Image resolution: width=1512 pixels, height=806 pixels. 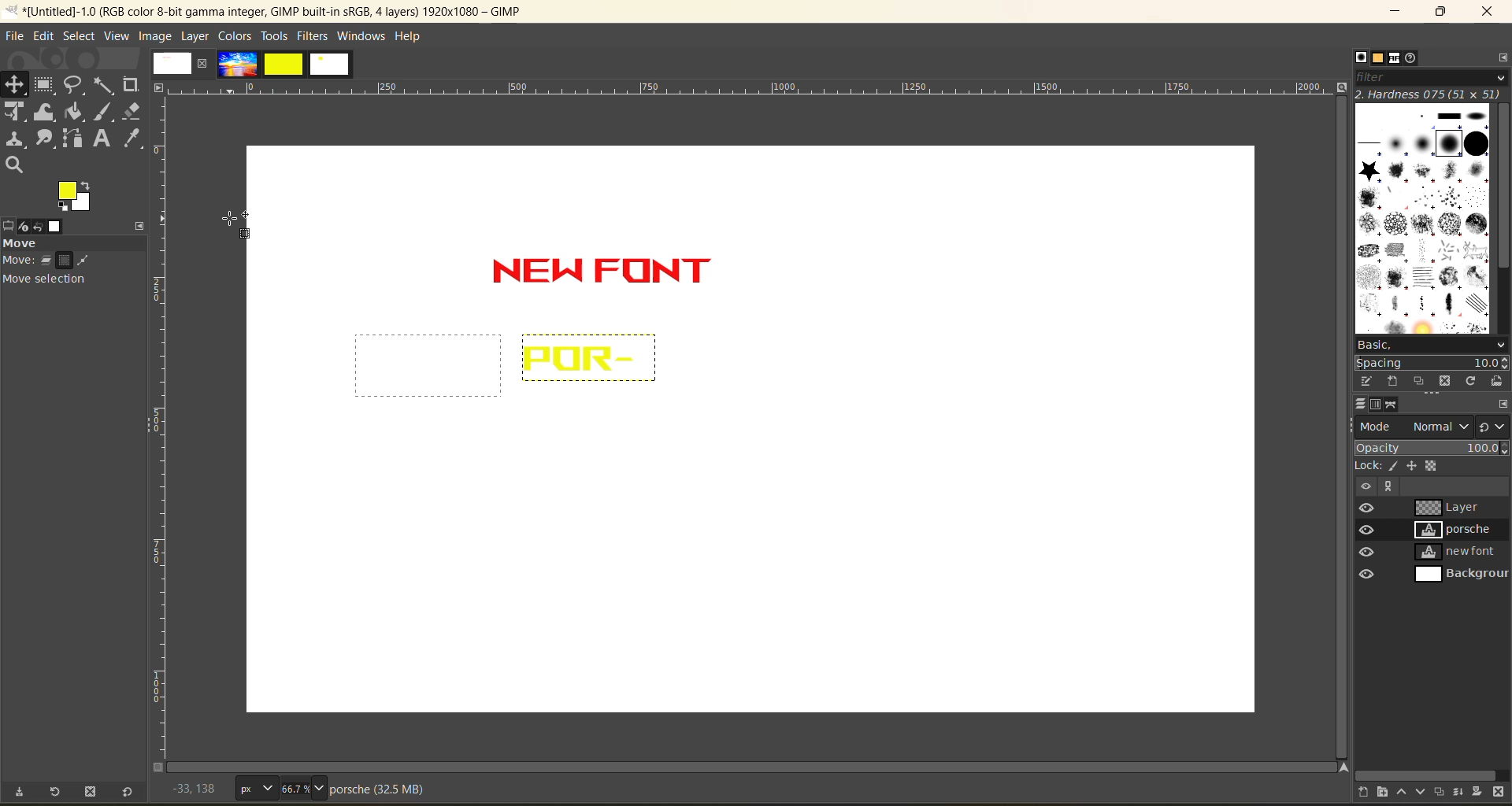 What do you see at coordinates (1351, 57) in the screenshot?
I see `brushes` at bounding box center [1351, 57].